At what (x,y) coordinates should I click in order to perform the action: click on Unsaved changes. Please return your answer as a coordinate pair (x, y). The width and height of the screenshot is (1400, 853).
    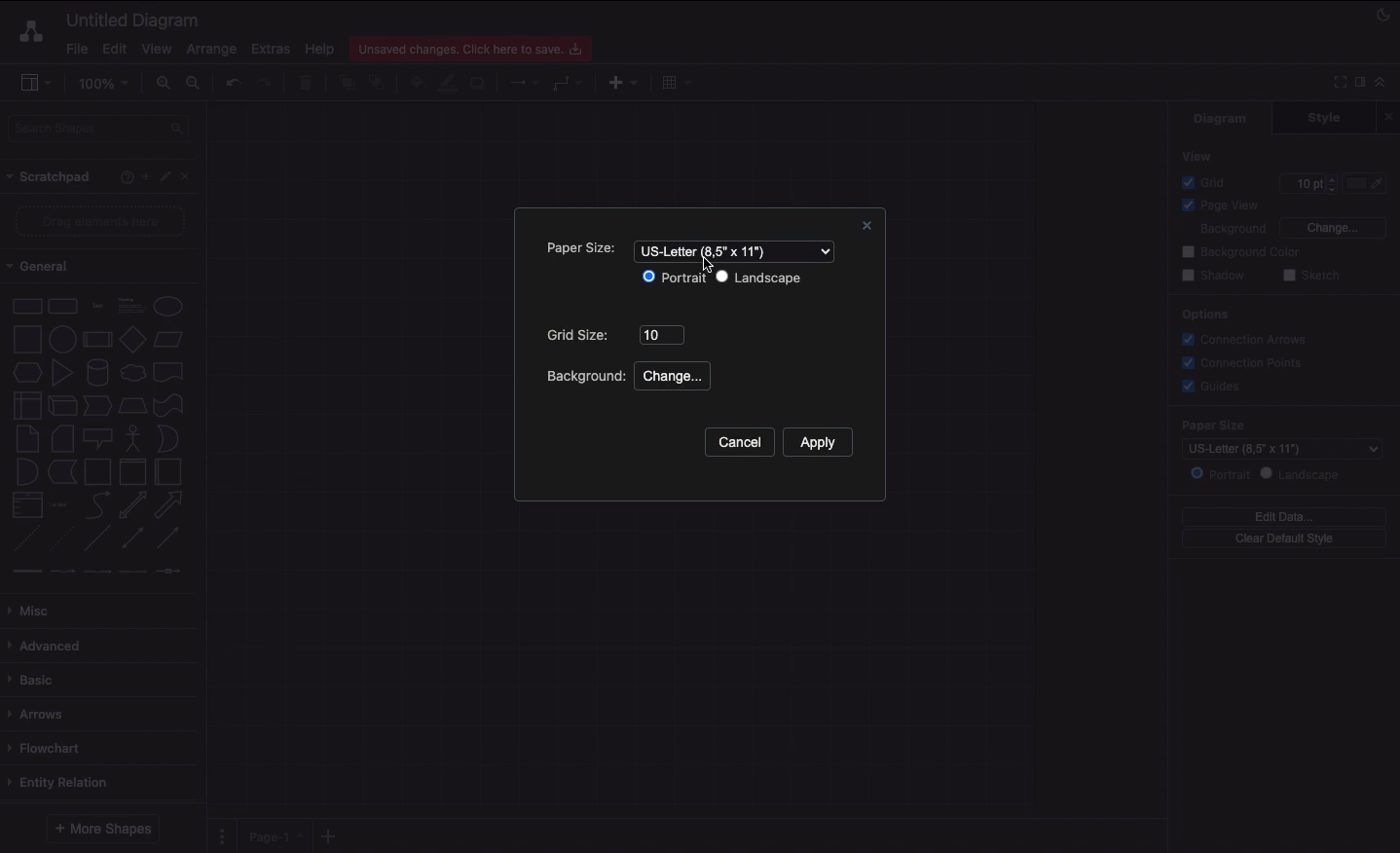
    Looking at the image, I should click on (473, 46).